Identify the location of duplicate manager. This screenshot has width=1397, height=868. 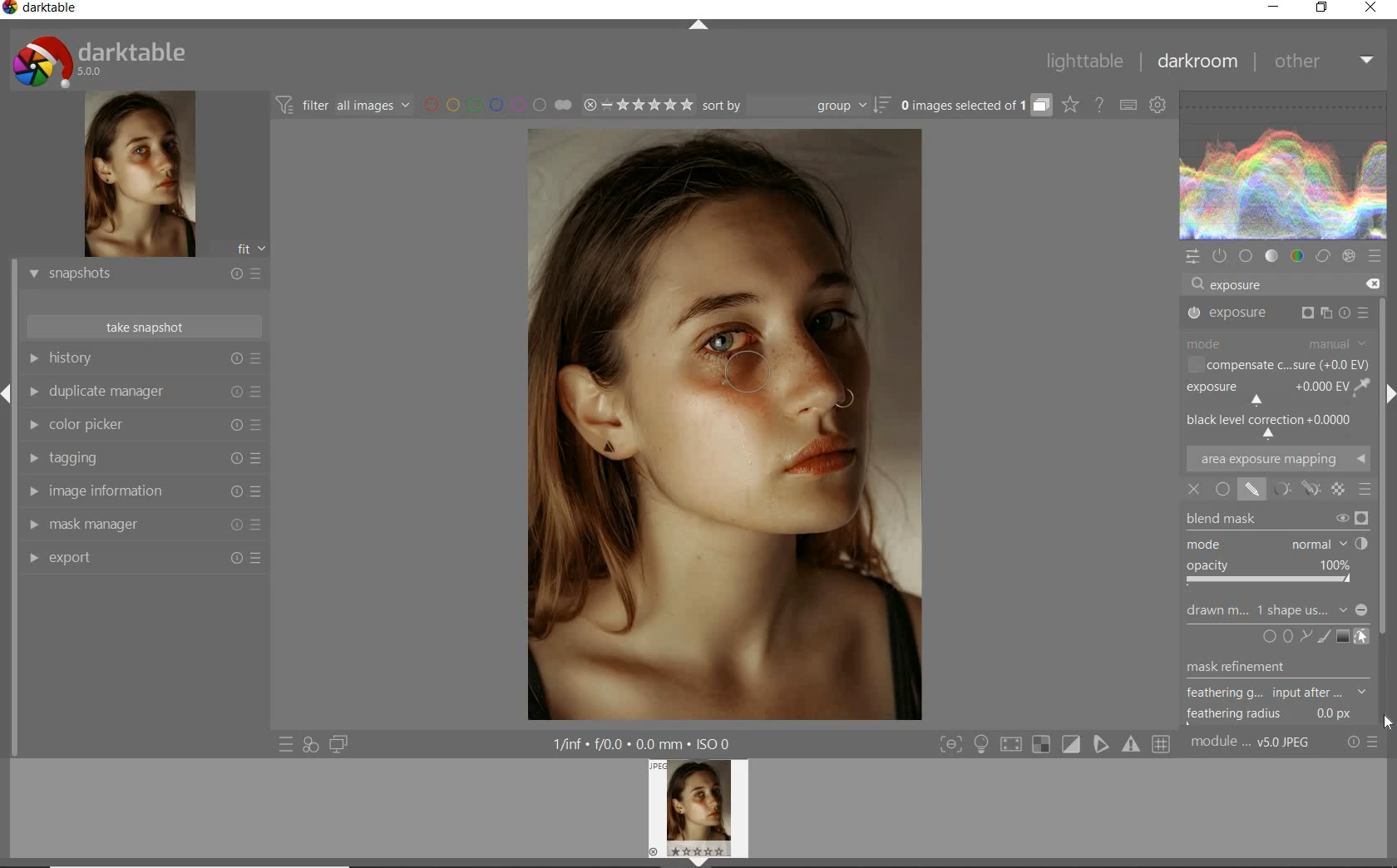
(143, 392).